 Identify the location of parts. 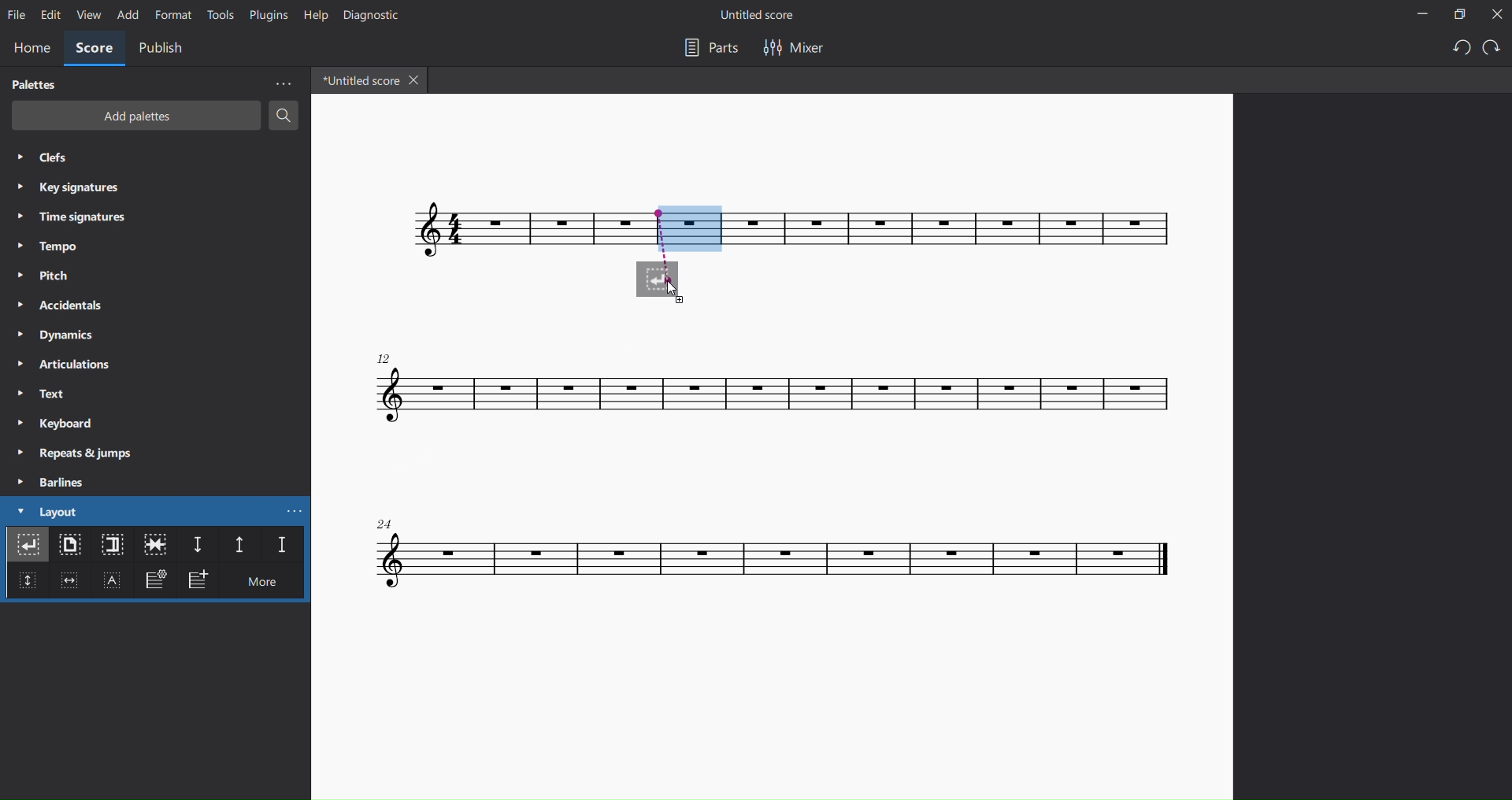
(706, 48).